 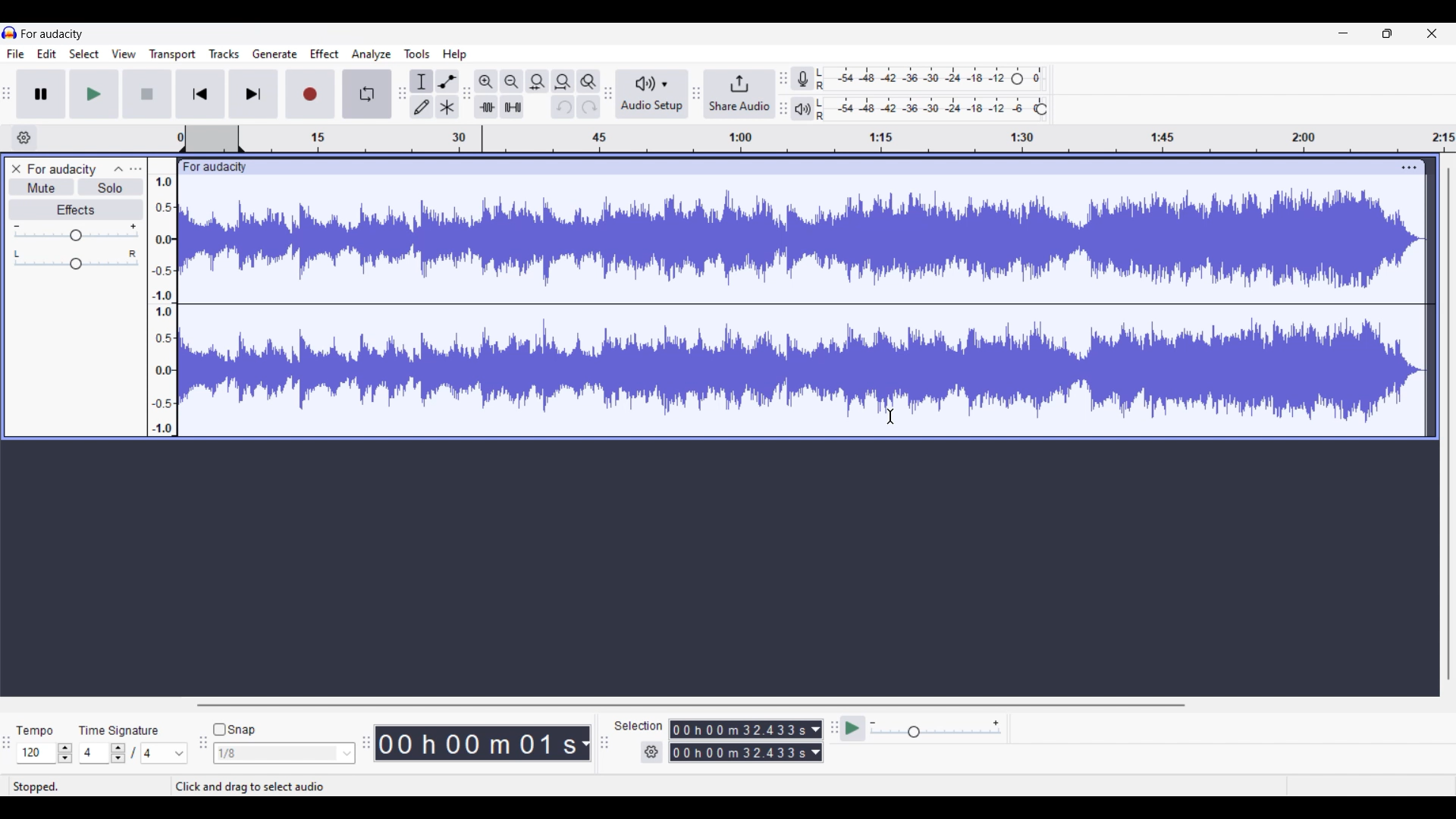 What do you see at coordinates (639, 726) in the screenshot?
I see `Indicates selection duration` at bounding box center [639, 726].